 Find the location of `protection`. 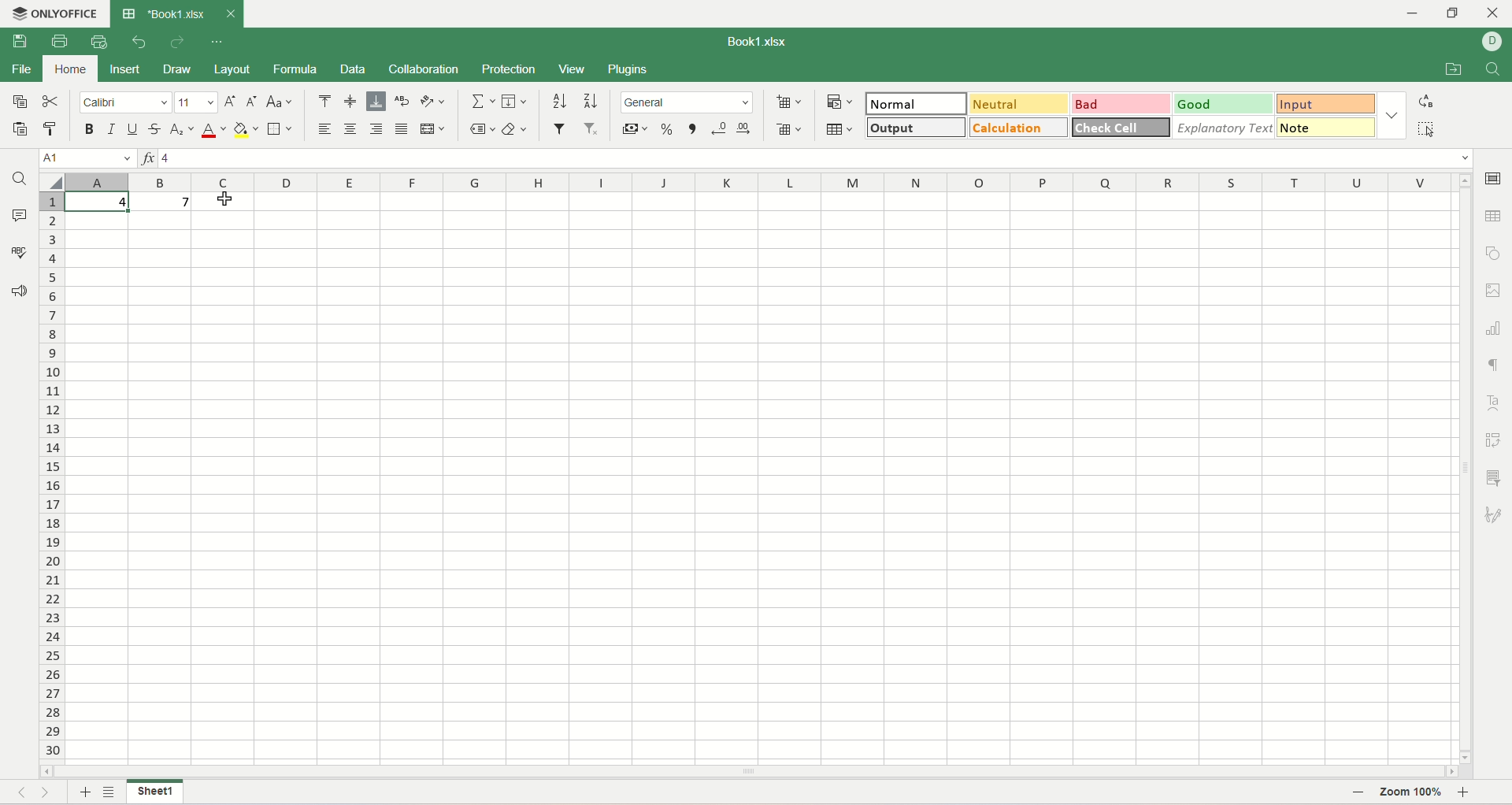

protection is located at coordinates (507, 69).